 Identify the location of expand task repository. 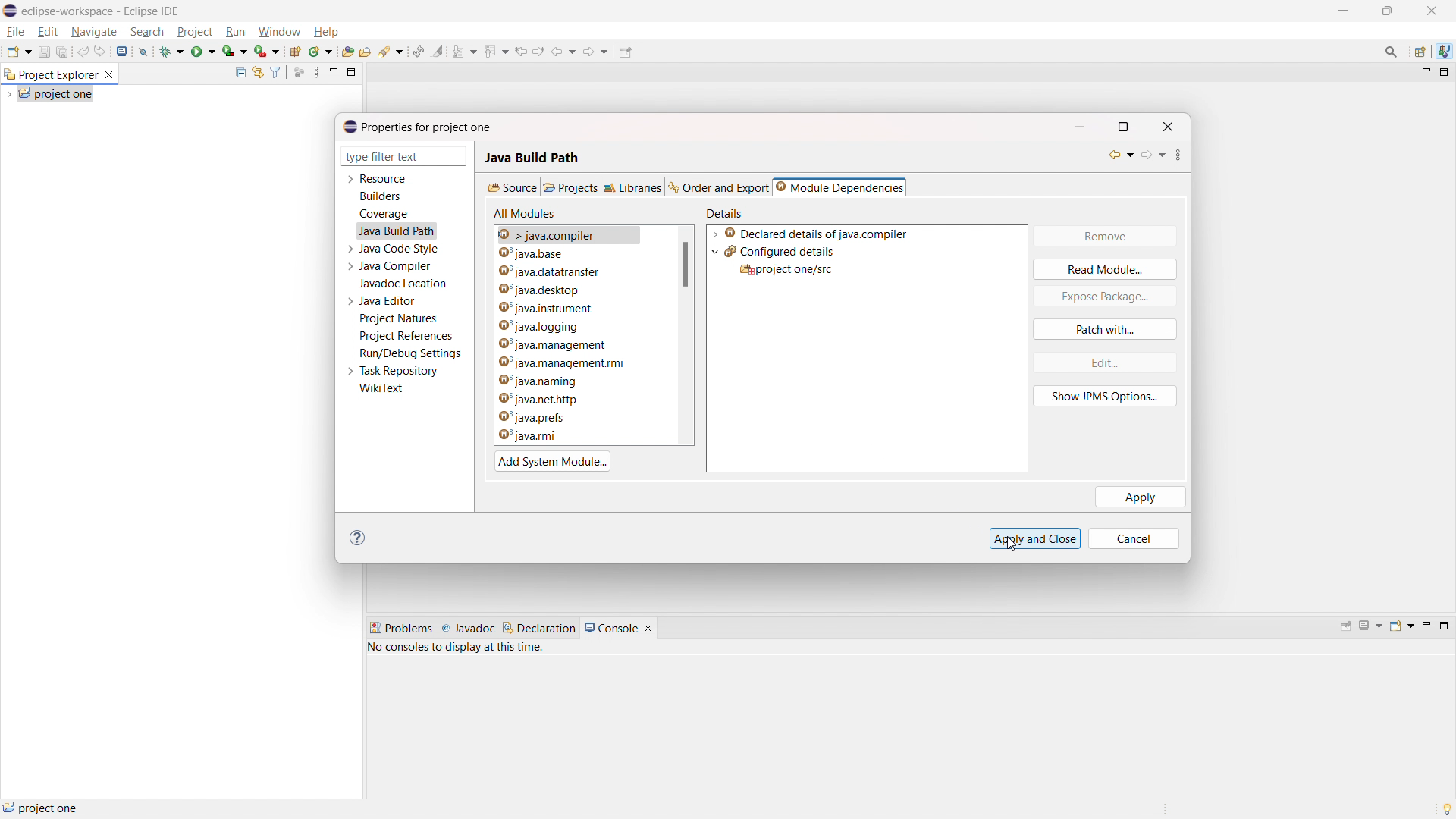
(349, 372).